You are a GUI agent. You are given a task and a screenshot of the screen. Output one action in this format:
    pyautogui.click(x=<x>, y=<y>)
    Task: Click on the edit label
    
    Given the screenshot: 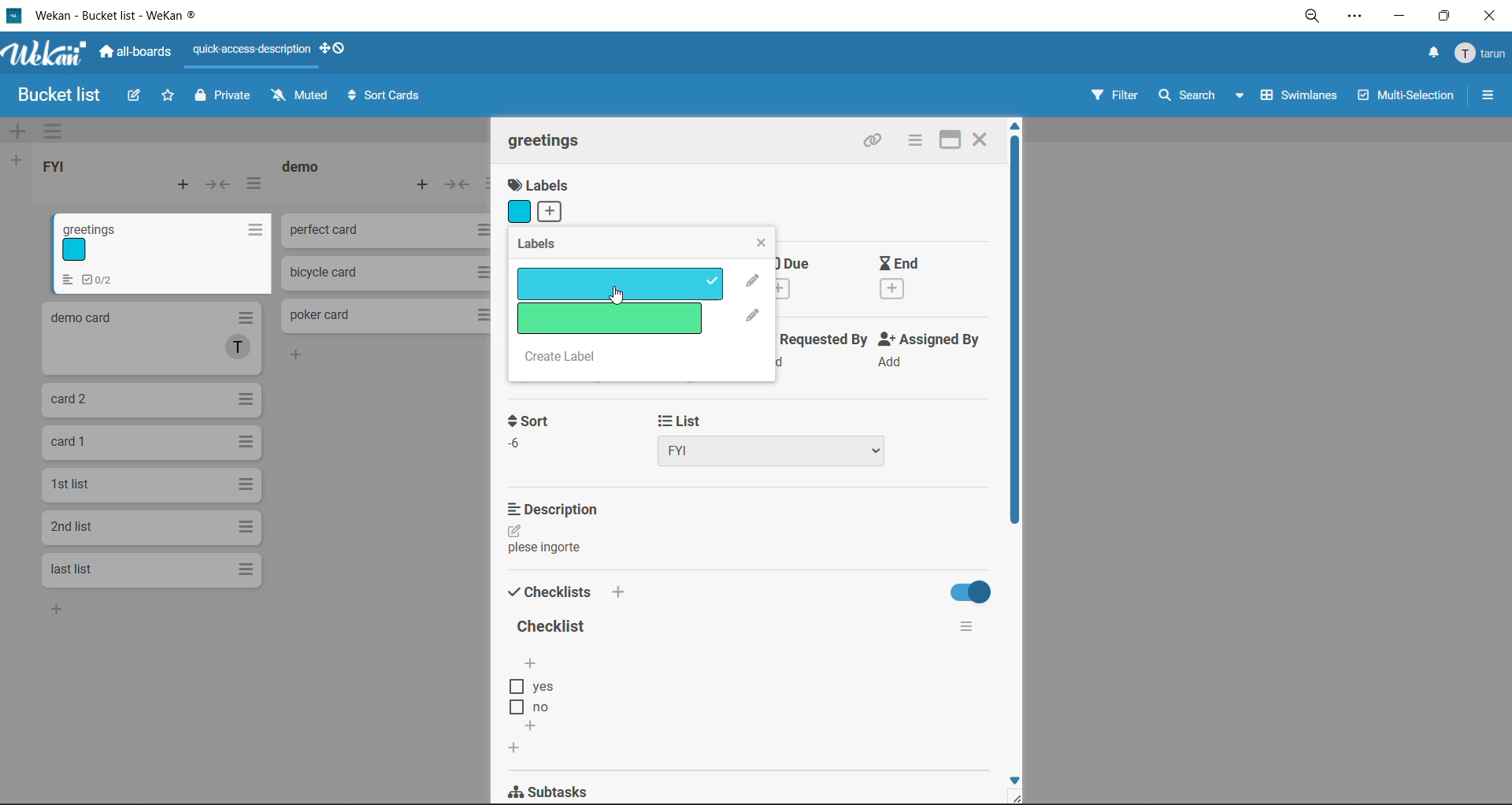 What is the action you would take?
    pyautogui.click(x=751, y=280)
    